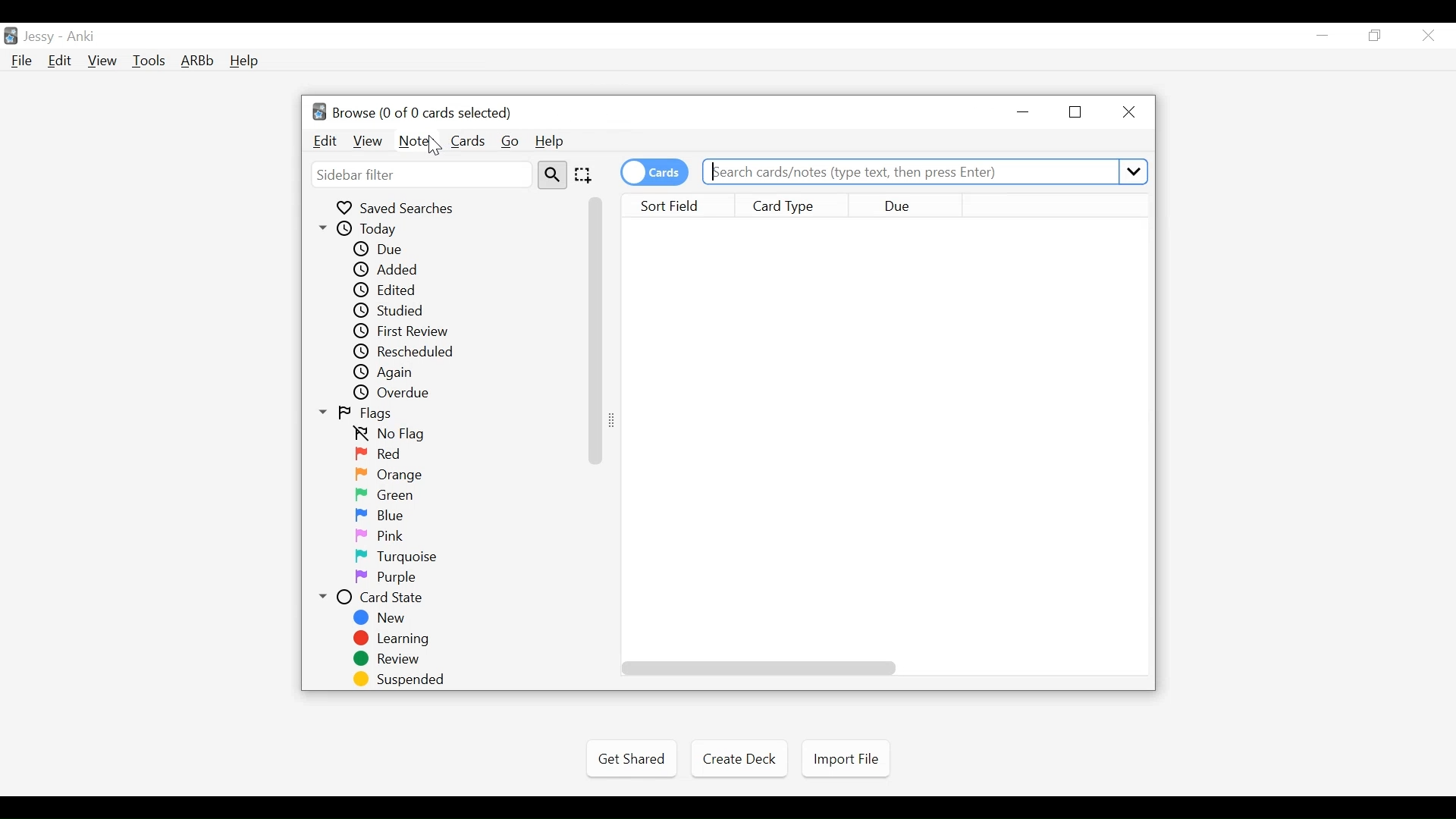 This screenshot has height=819, width=1456. I want to click on Anki, so click(81, 36).